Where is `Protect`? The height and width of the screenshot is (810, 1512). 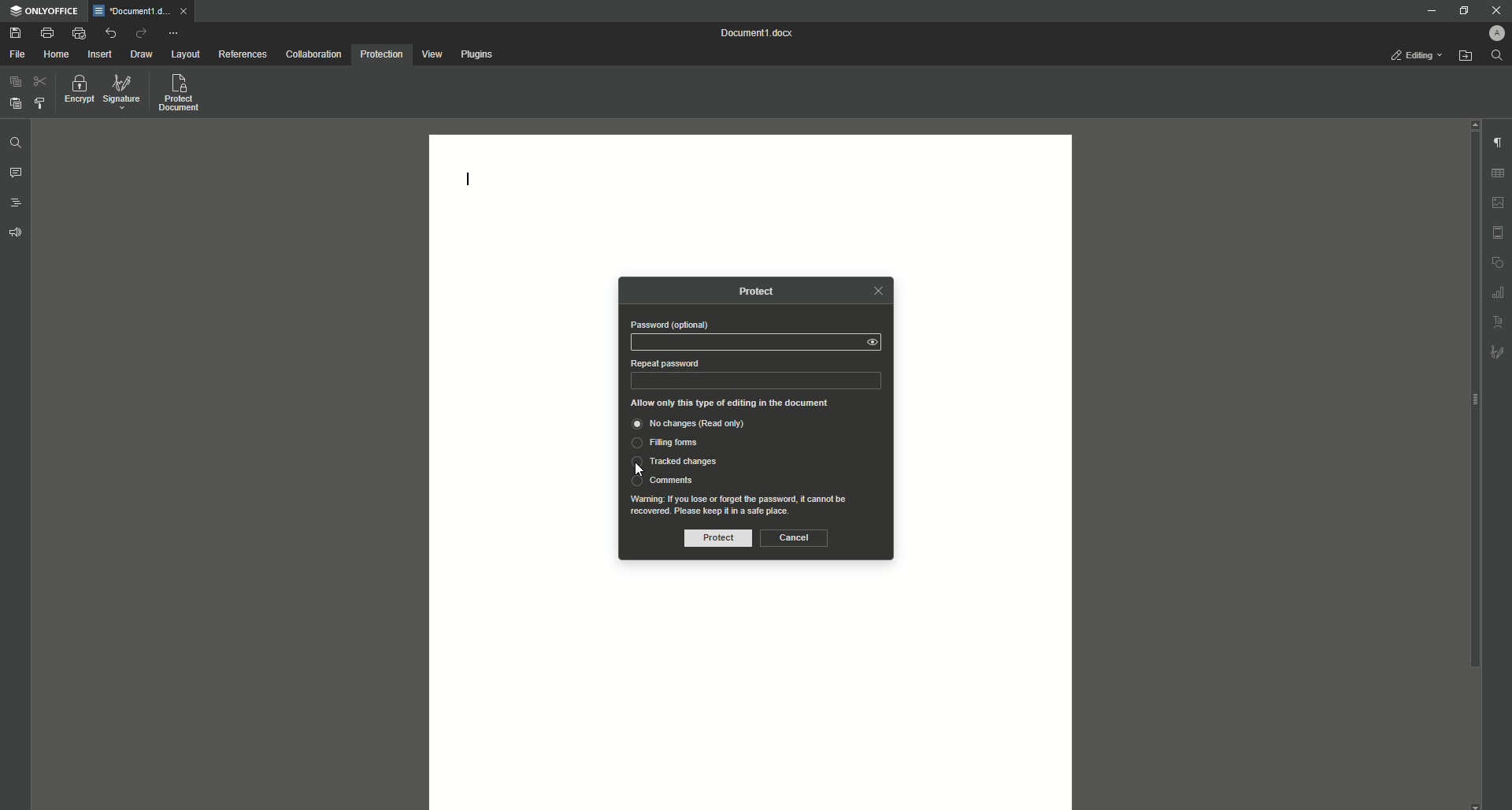
Protect is located at coordinates (717, 537).